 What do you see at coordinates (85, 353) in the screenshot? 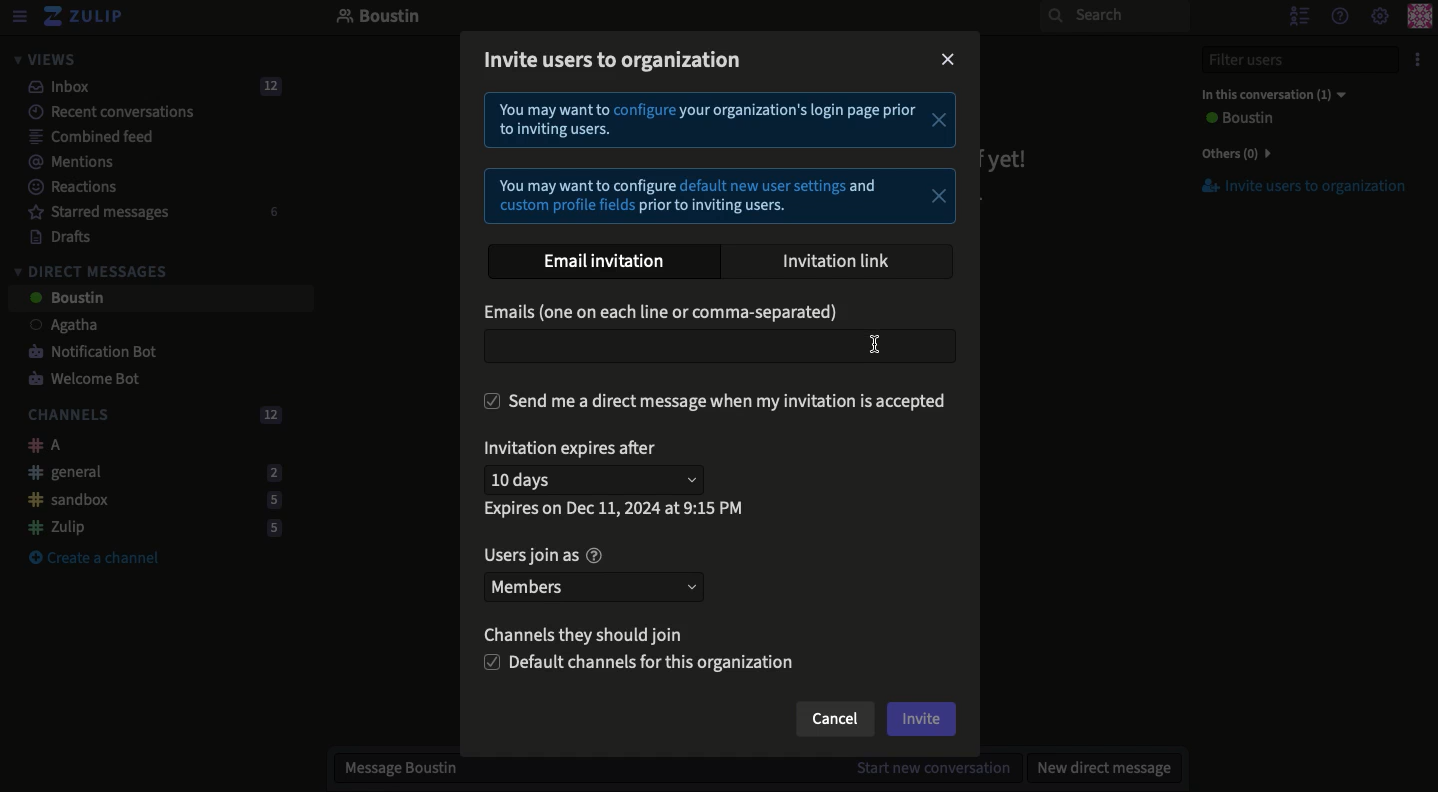
I see `Notification bot` at bounding box center [85, 353].